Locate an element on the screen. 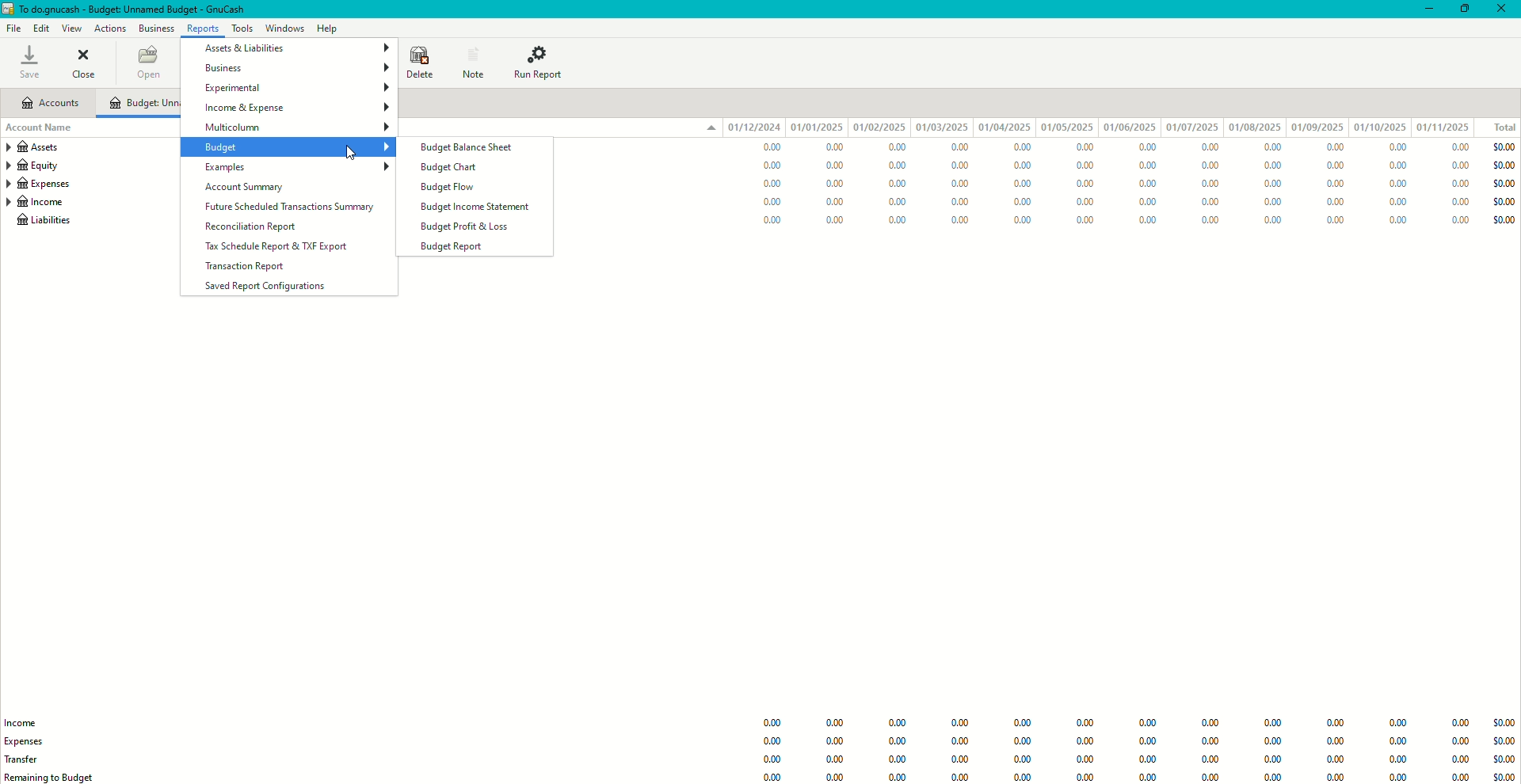 The height and width of the screenshot is (784, 1521). Actions is located at coordinates (109, 27).